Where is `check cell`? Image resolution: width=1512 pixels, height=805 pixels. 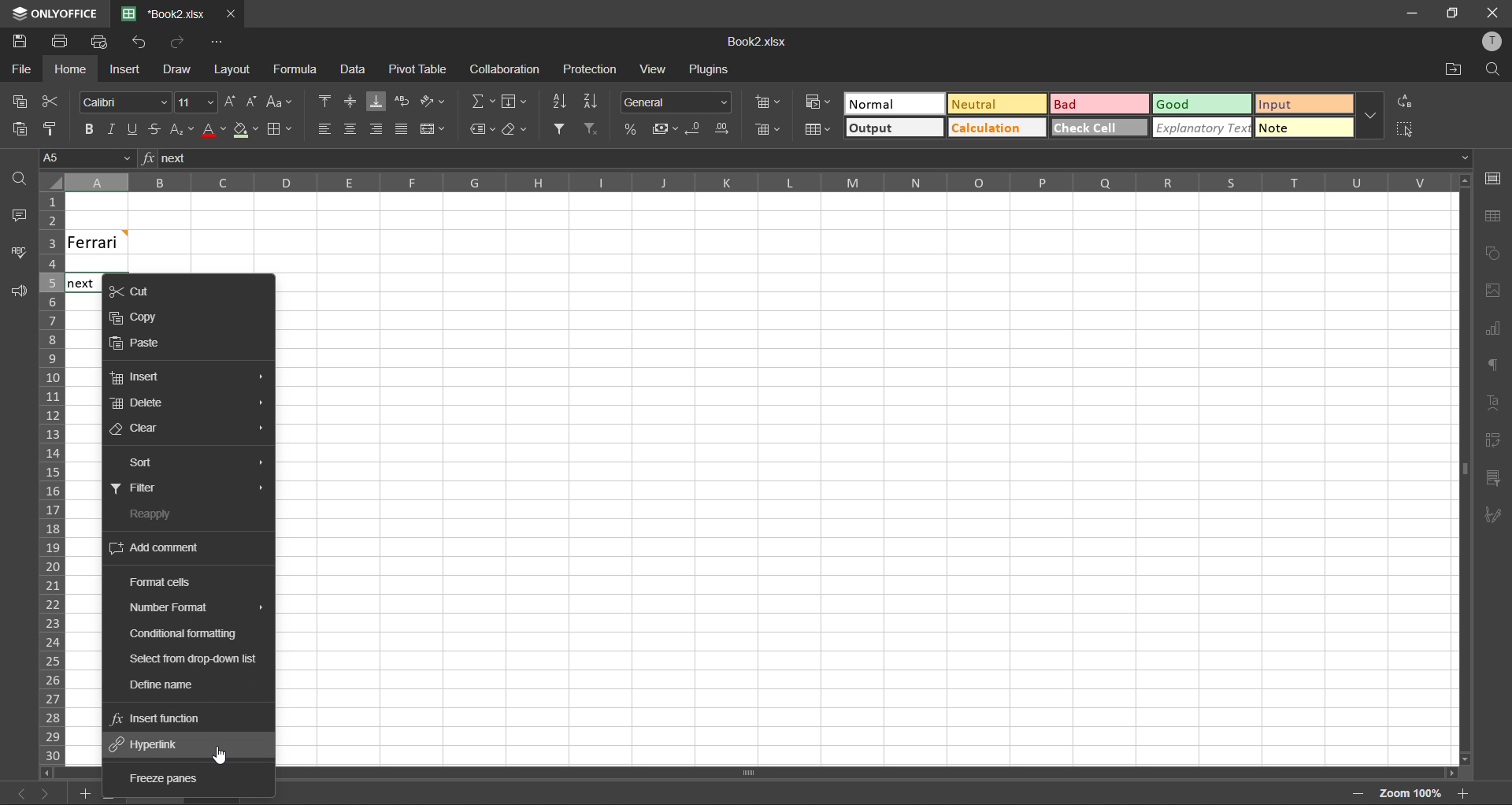 check cell is located at coordinates (1096, 127).